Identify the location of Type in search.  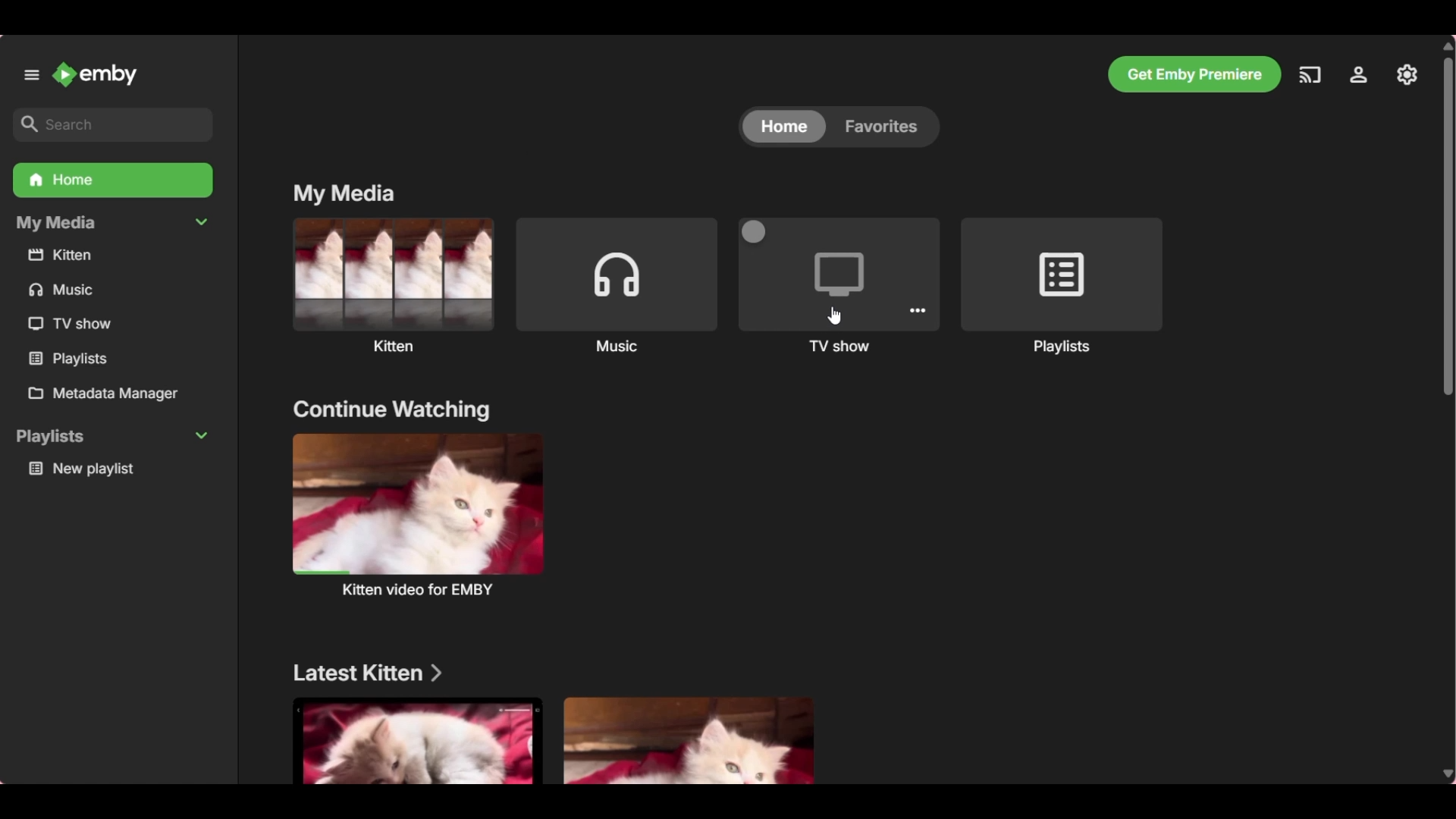
(113, 125).